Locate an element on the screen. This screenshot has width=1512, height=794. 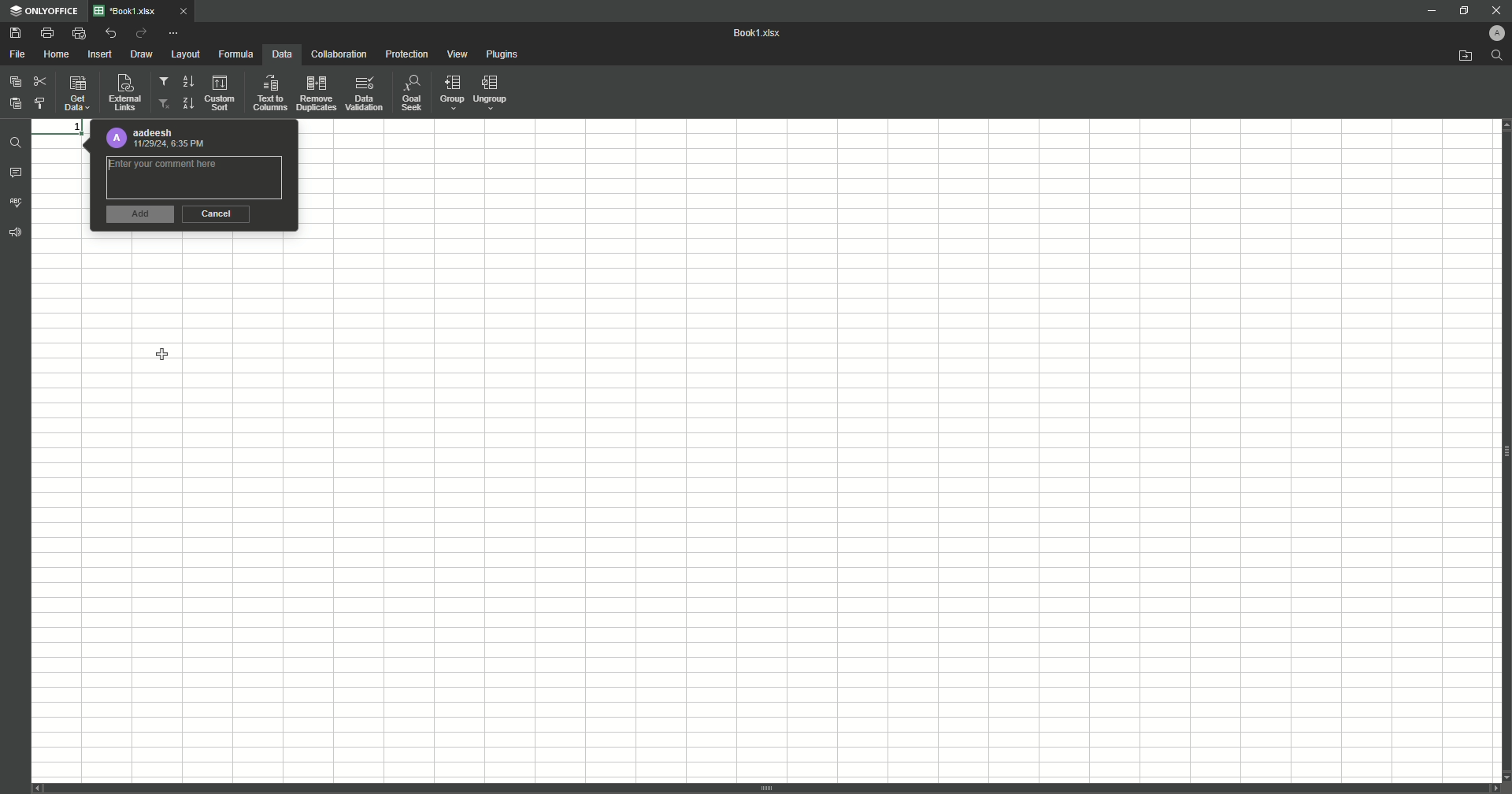
Layout is located at coordinates (185, 54).